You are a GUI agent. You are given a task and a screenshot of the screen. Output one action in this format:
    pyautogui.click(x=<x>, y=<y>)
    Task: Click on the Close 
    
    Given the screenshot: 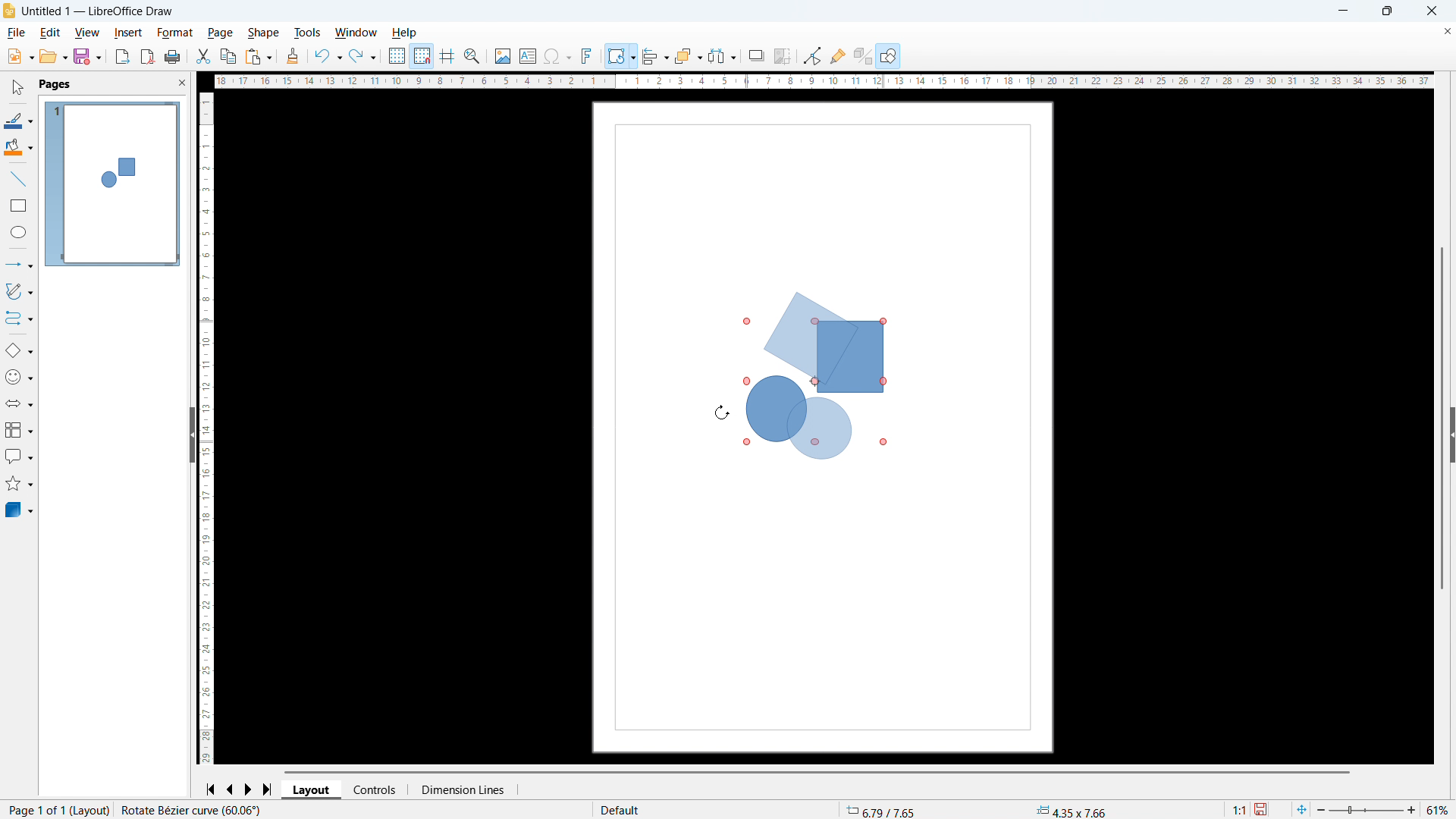 What is the action you would take?
    pyautogui.click(x=1432, y=11)
    